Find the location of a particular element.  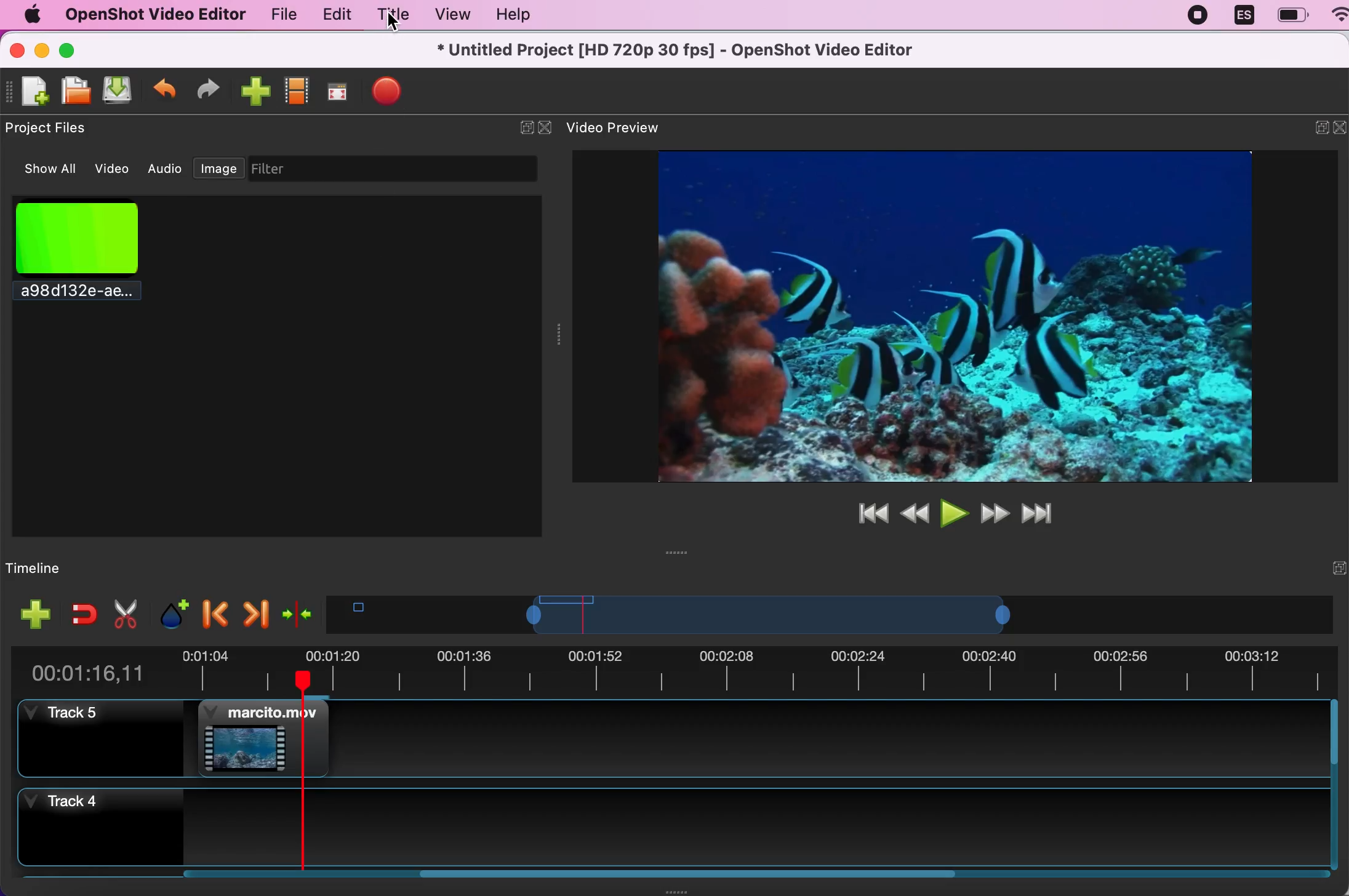

audio is located at coordinates (166, 169).